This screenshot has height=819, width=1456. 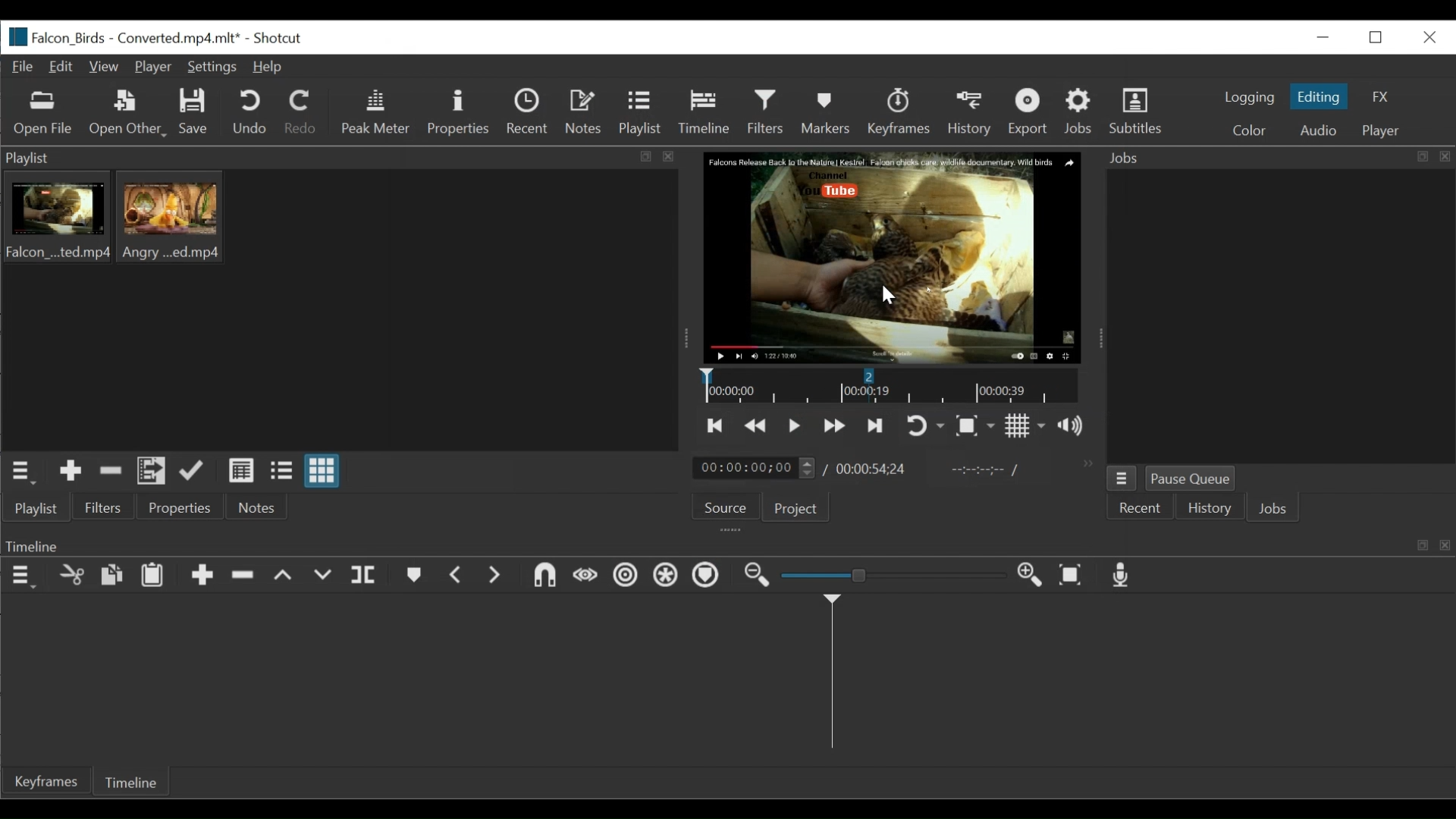 I want to click on Close, so click(x=1426, y=36).